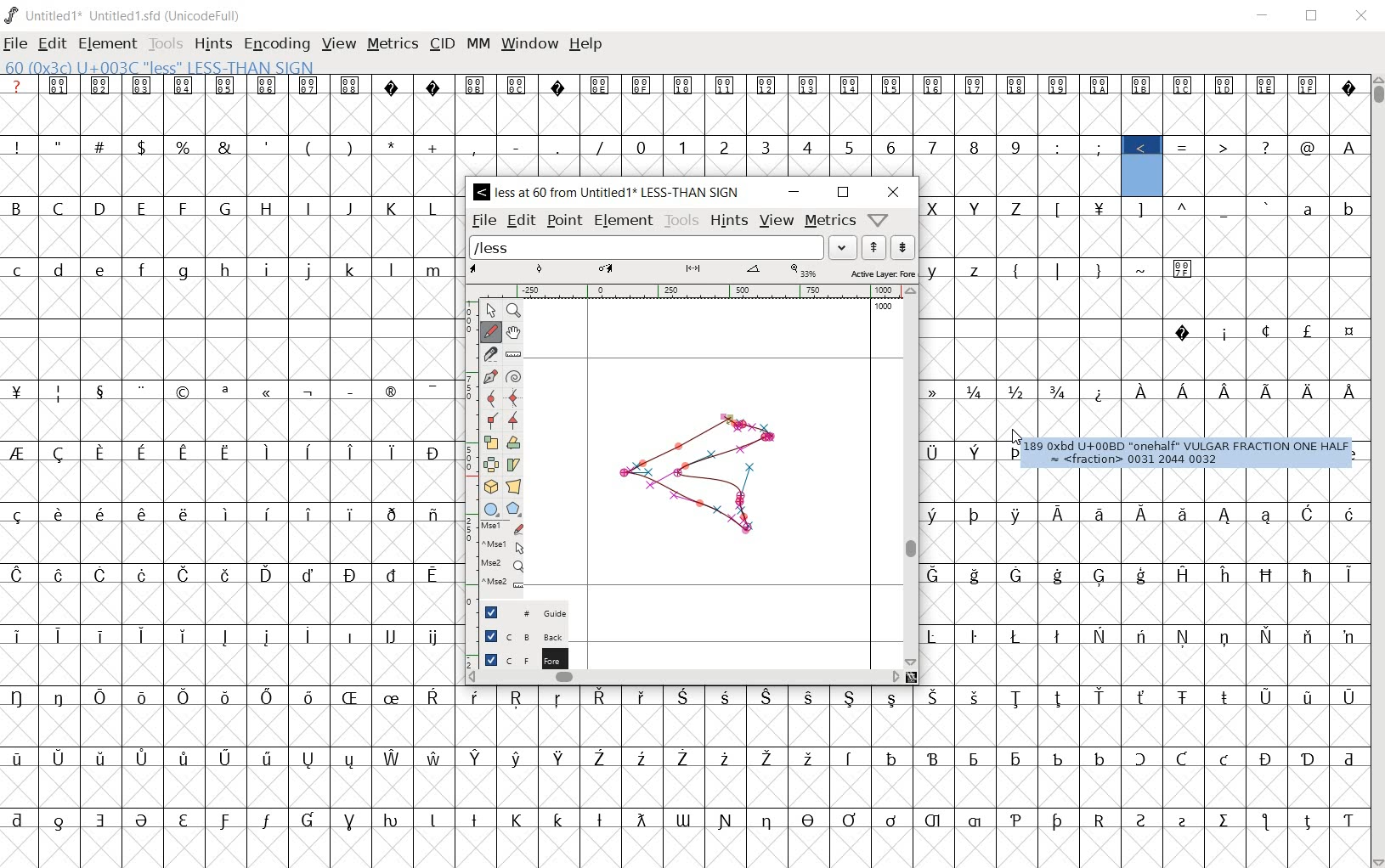 This screenshot has width=1385, height=868. Describe the element at coordinates (1143, 301) in the screenshot. I see `` at that location.